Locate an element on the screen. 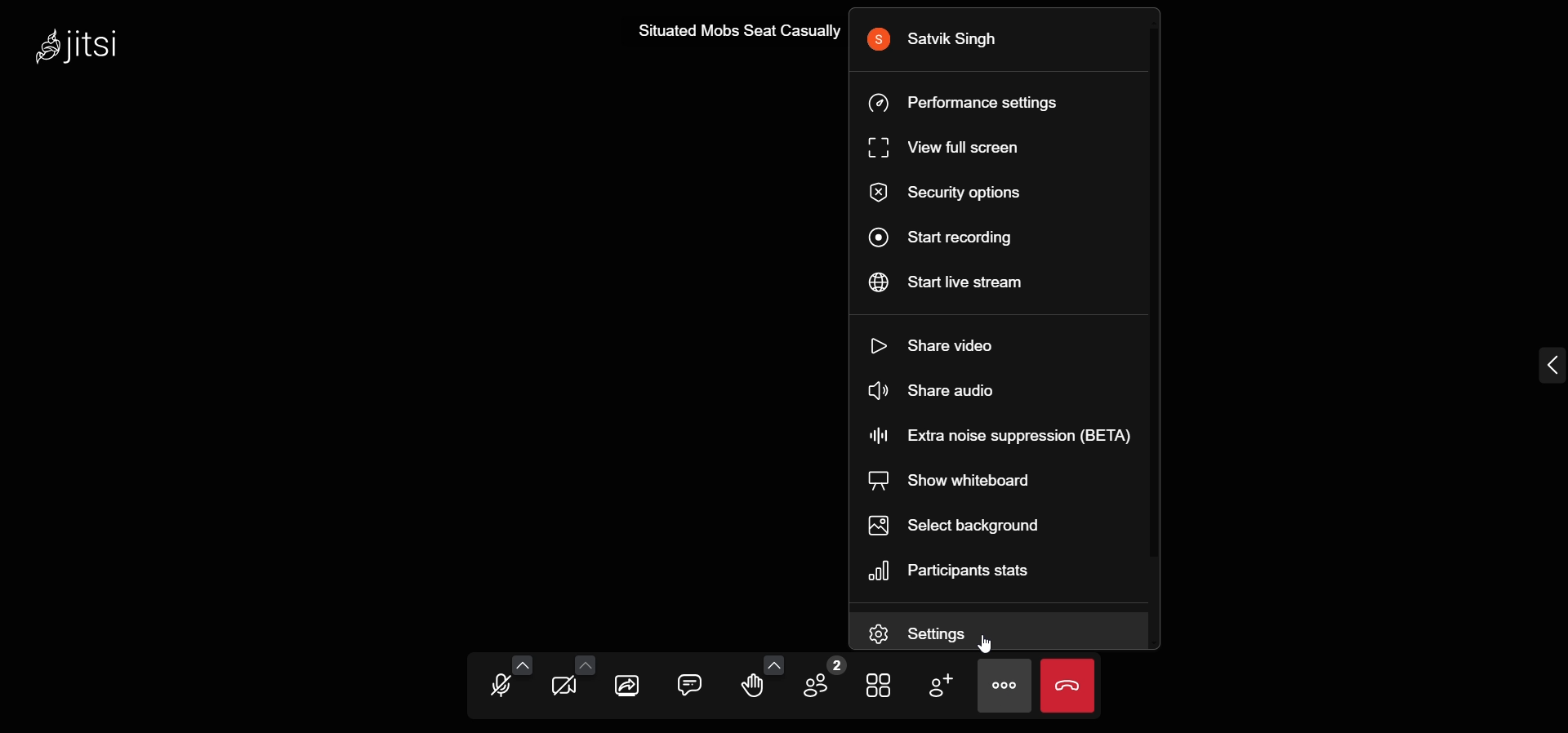 The width and height of the screenshot is (1568, 733). select background is located at coordinates (955, 523).